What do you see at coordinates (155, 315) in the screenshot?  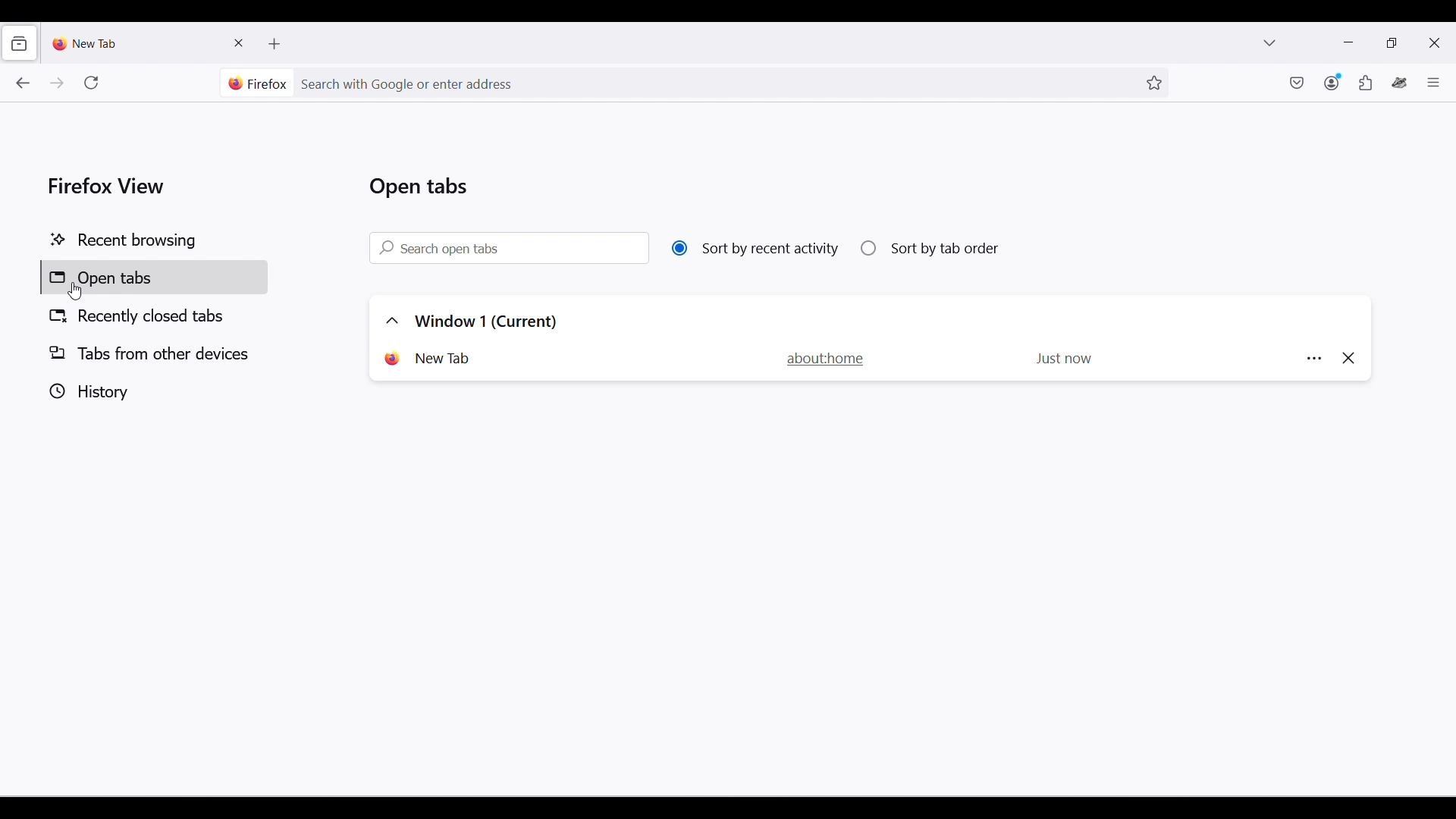 I see `Recently closed tabs` at bounding box center [155, 315].